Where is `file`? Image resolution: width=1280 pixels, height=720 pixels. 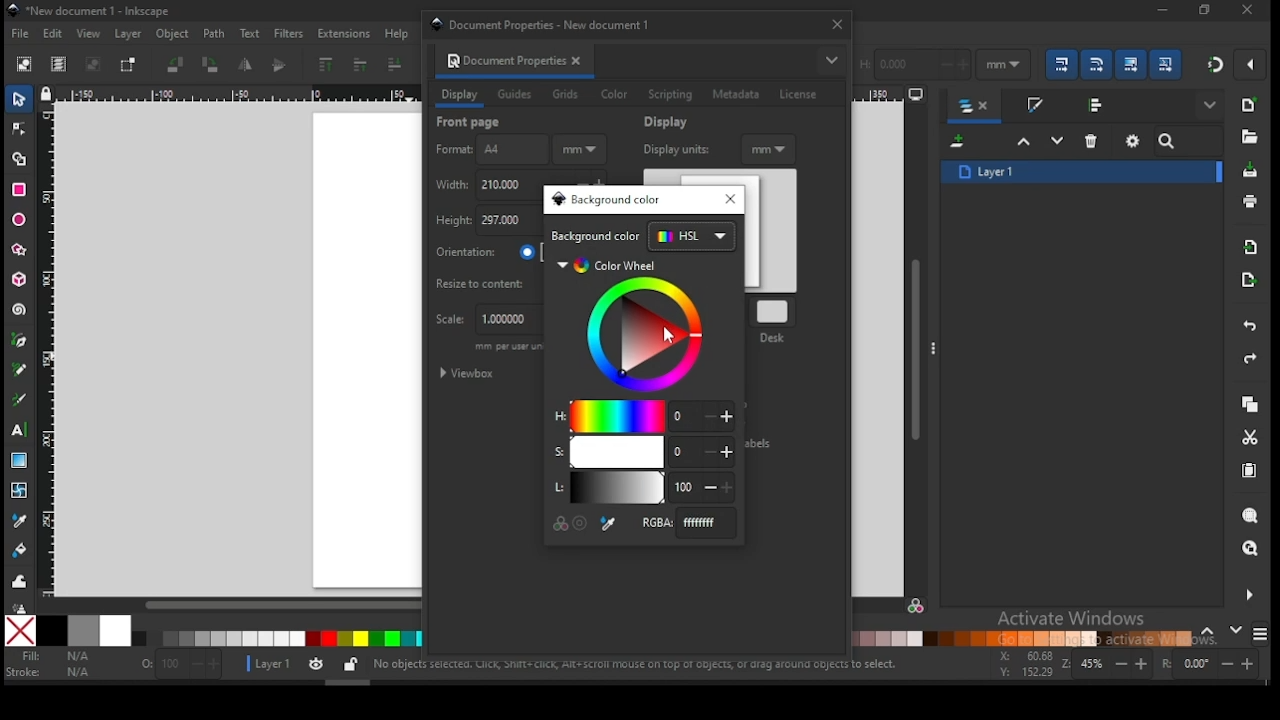 file is located at coordinates (20, 36).